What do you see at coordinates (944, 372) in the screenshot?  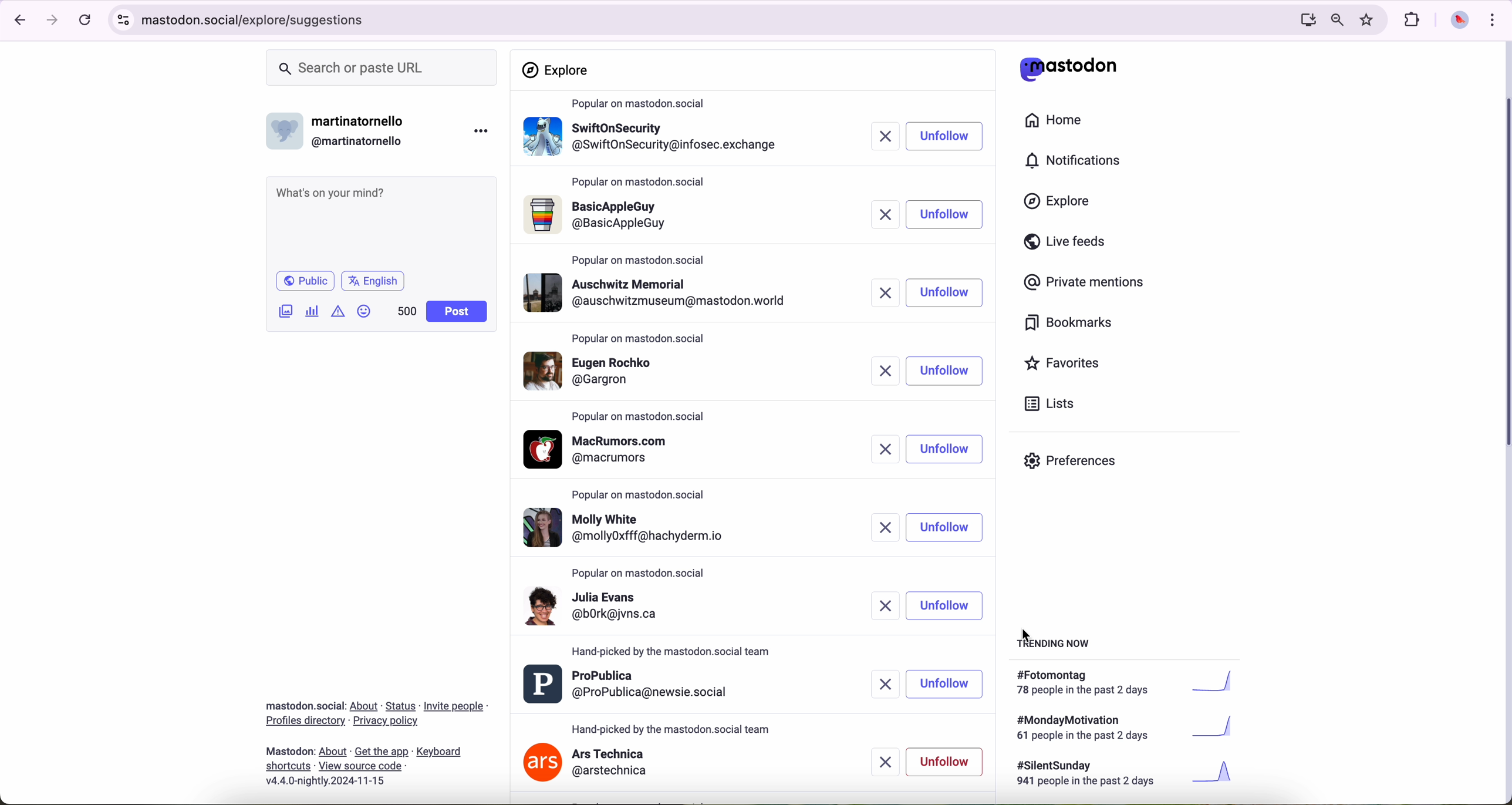 I see `unfollow` at bounding box center [944, 372].